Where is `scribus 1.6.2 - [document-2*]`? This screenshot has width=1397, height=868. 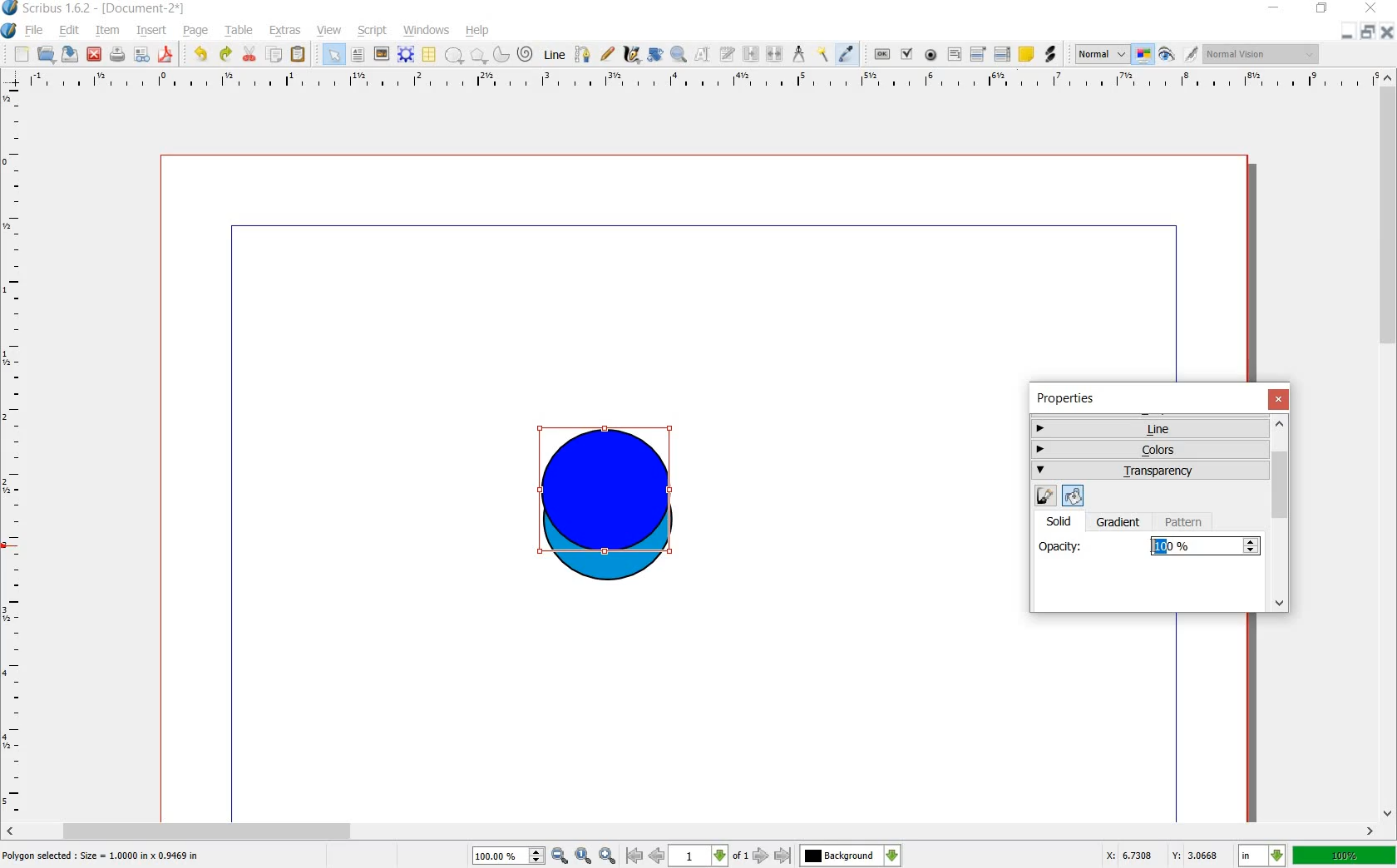
scribus 1.6.2 - [document-2*] is located at coordinates (106, 8).